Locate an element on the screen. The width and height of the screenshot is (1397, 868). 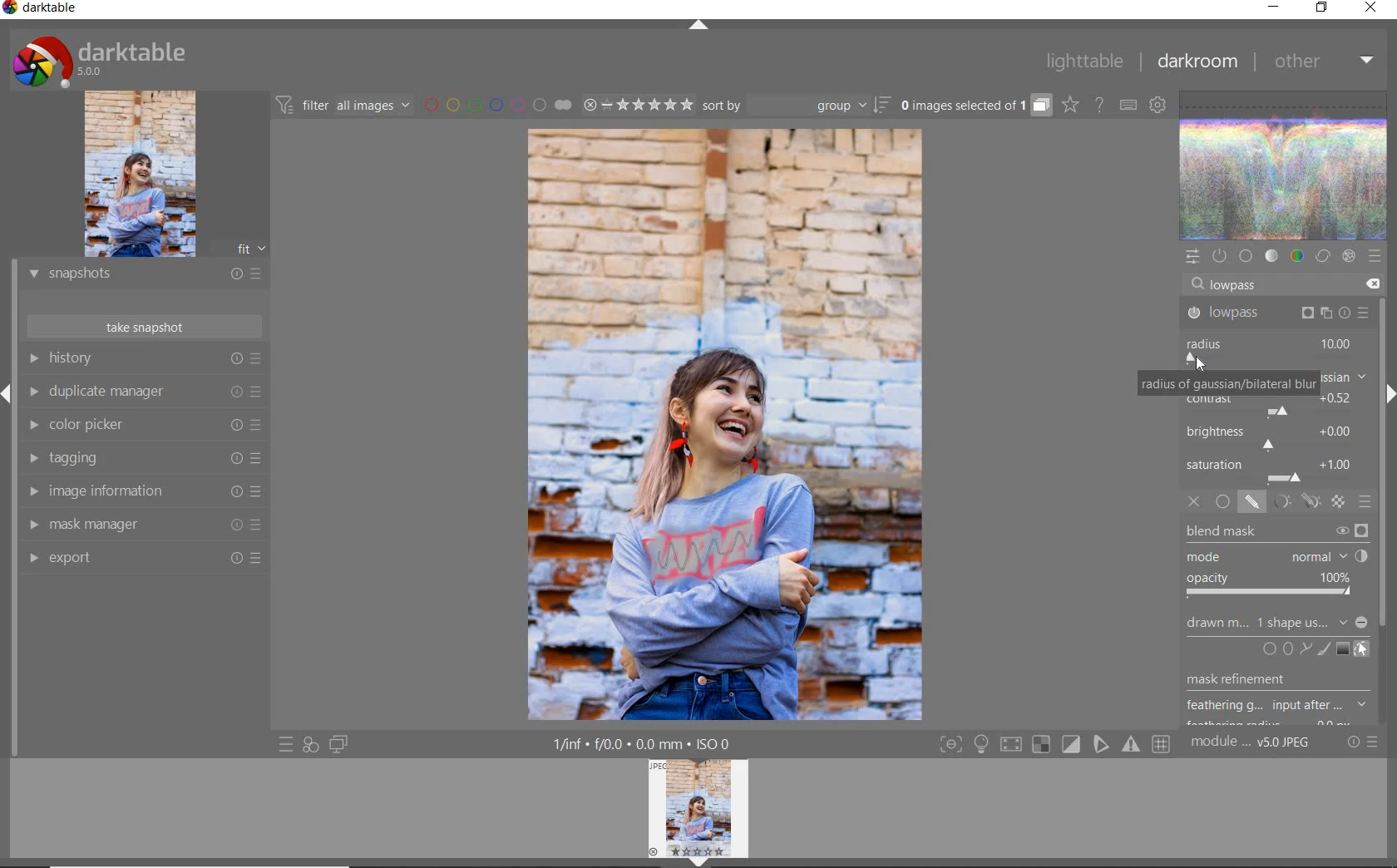
no mask is located at coordinates (1310, 624).